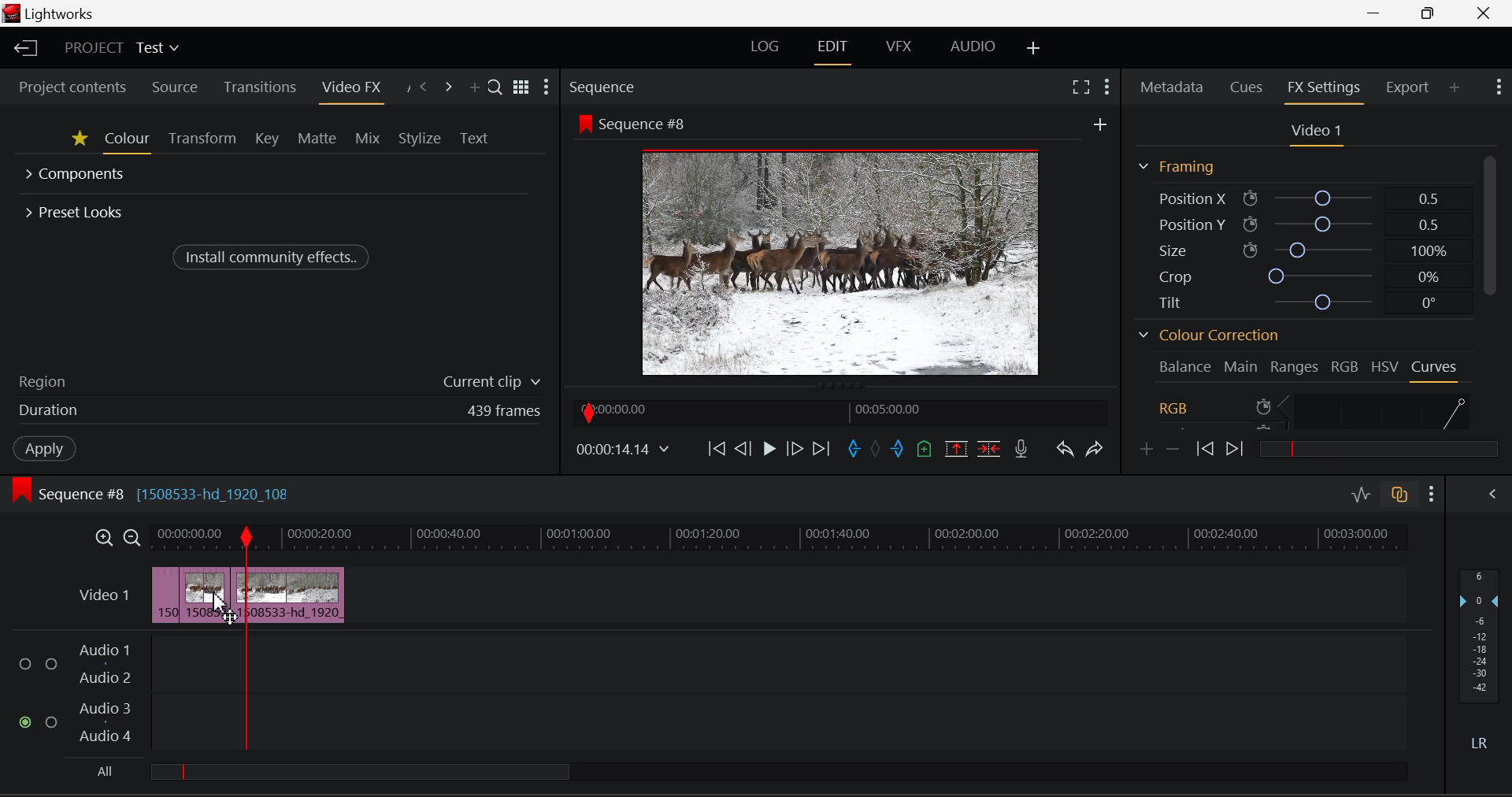 The width and height of the screenshot is (1512, 797). Describe the element at coordinates (64, 13) in the screenshot. I see `Lightworks` at that location.